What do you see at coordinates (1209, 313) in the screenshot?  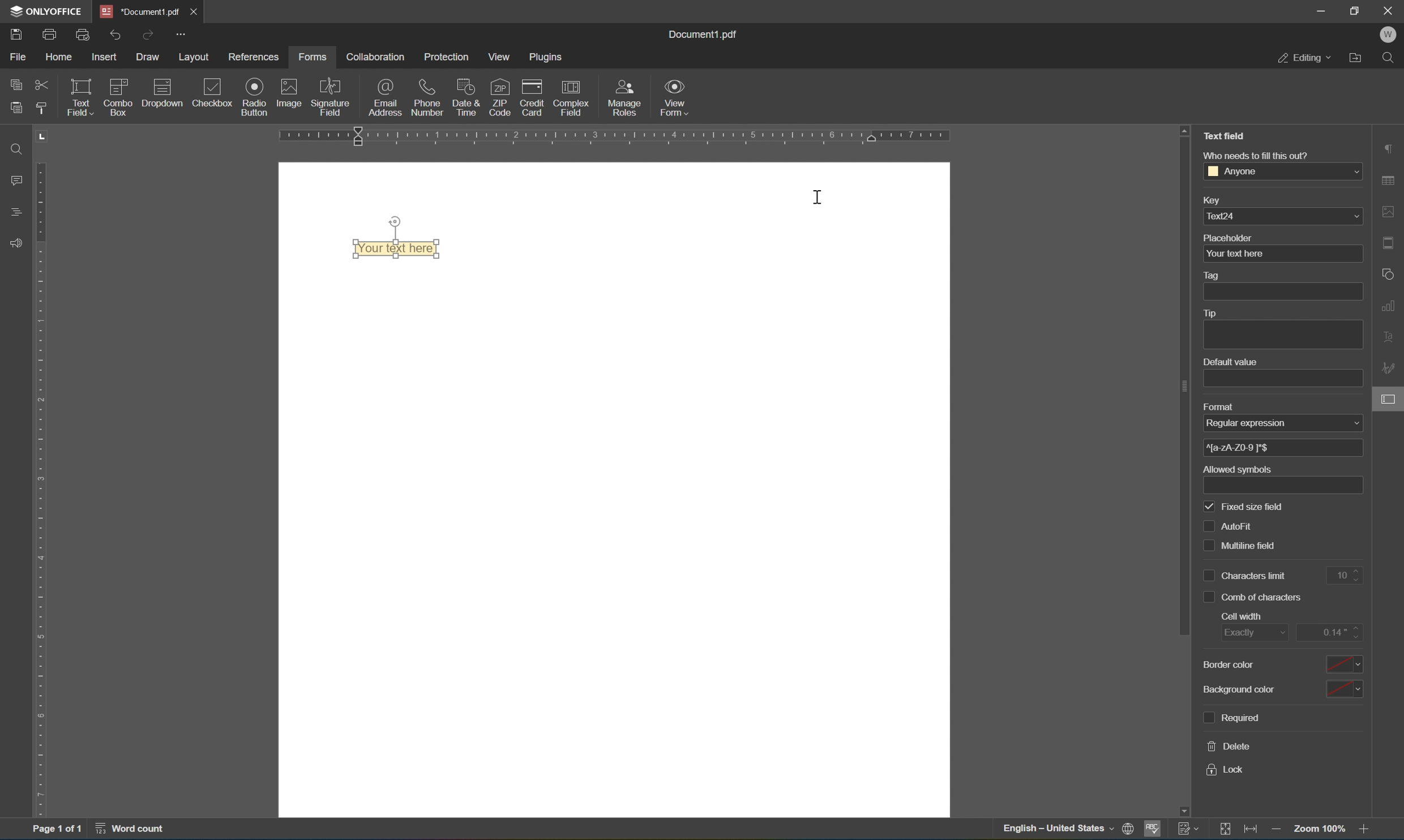 I see `tip` at bounding box center [1209, 313].